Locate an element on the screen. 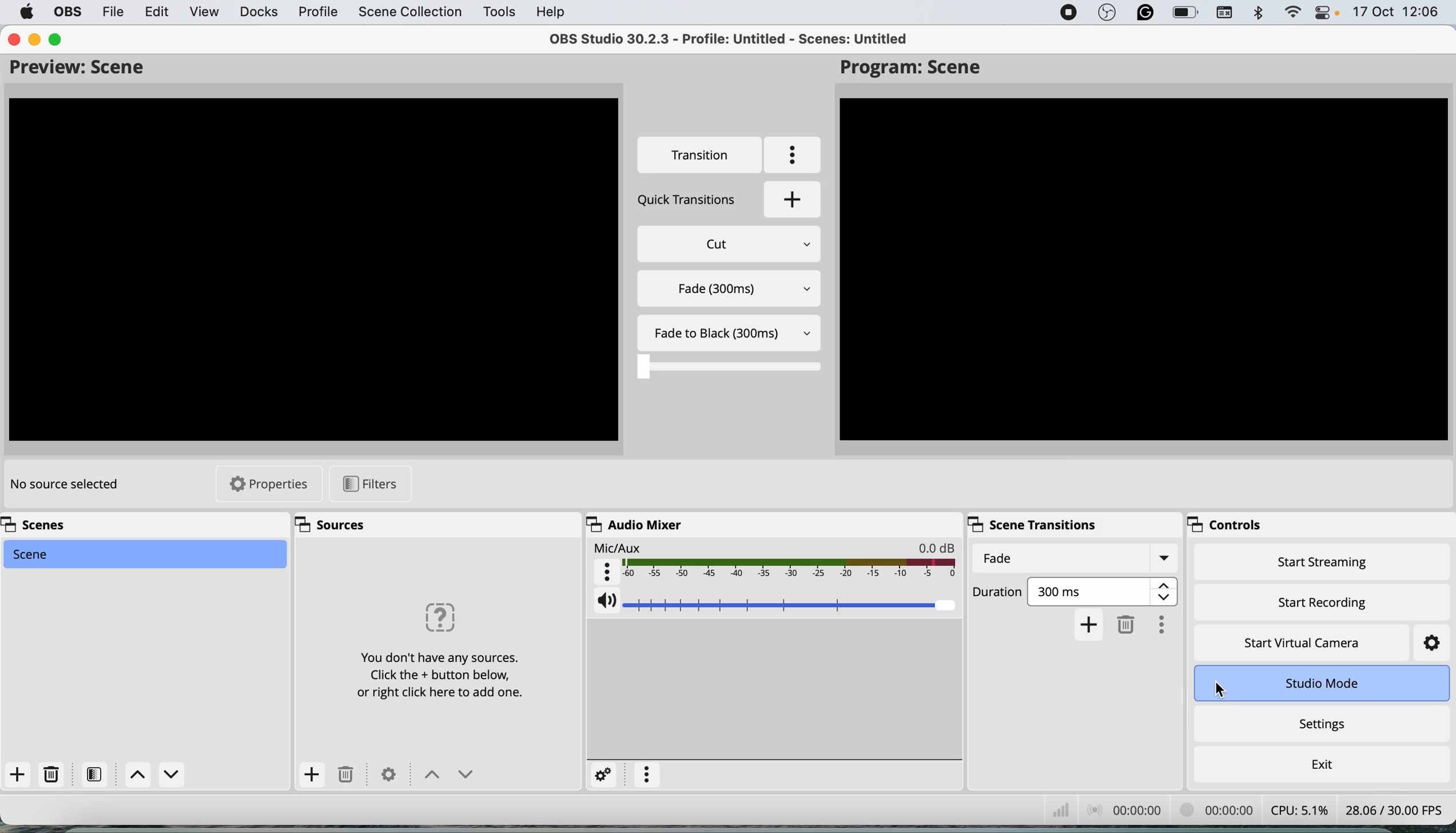 This screenshot has width=1456, height=833. delete transition is located at coordinates (1127, 624).